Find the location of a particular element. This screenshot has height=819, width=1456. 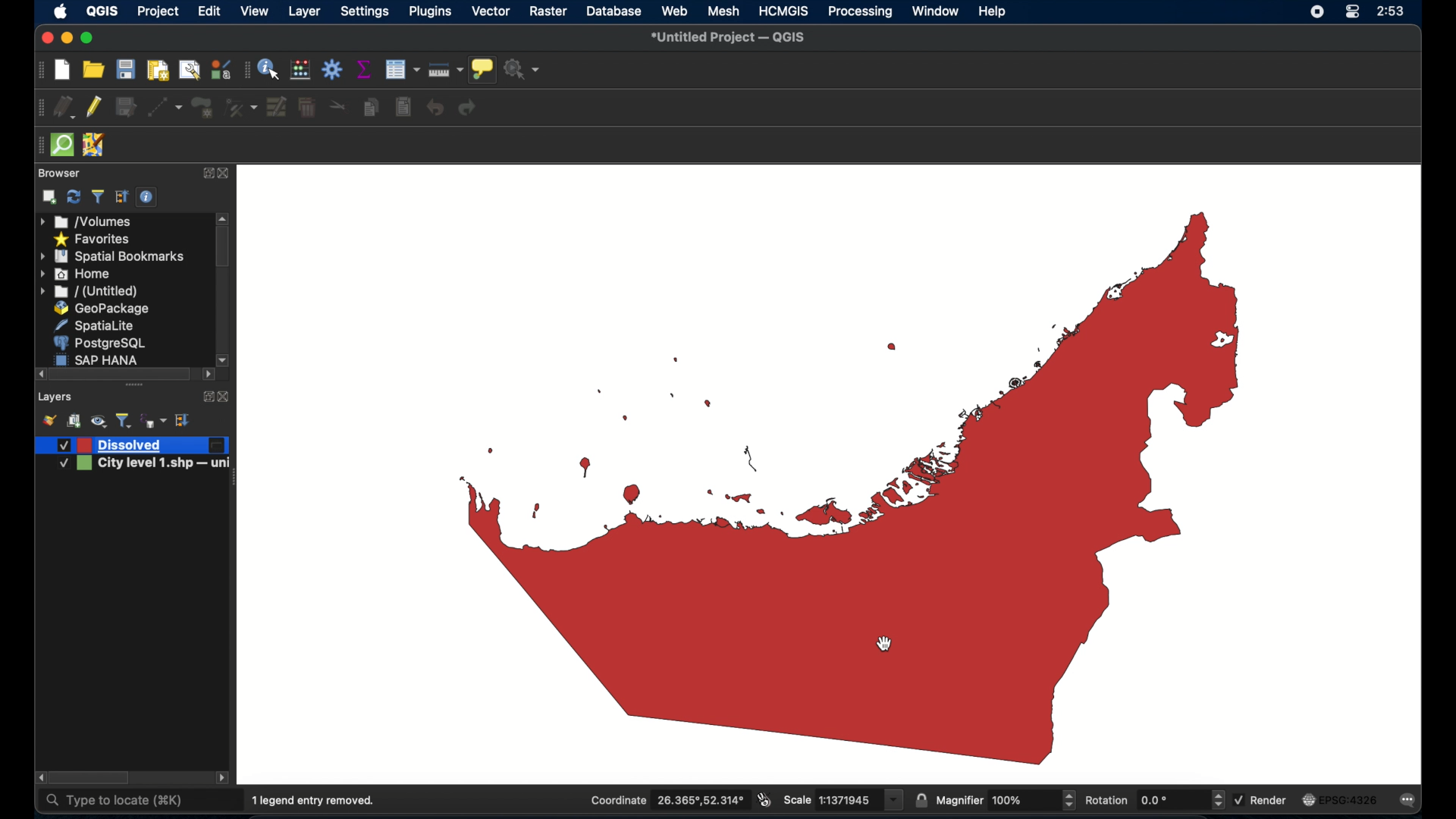

save project is located at coordinates (127, 70).